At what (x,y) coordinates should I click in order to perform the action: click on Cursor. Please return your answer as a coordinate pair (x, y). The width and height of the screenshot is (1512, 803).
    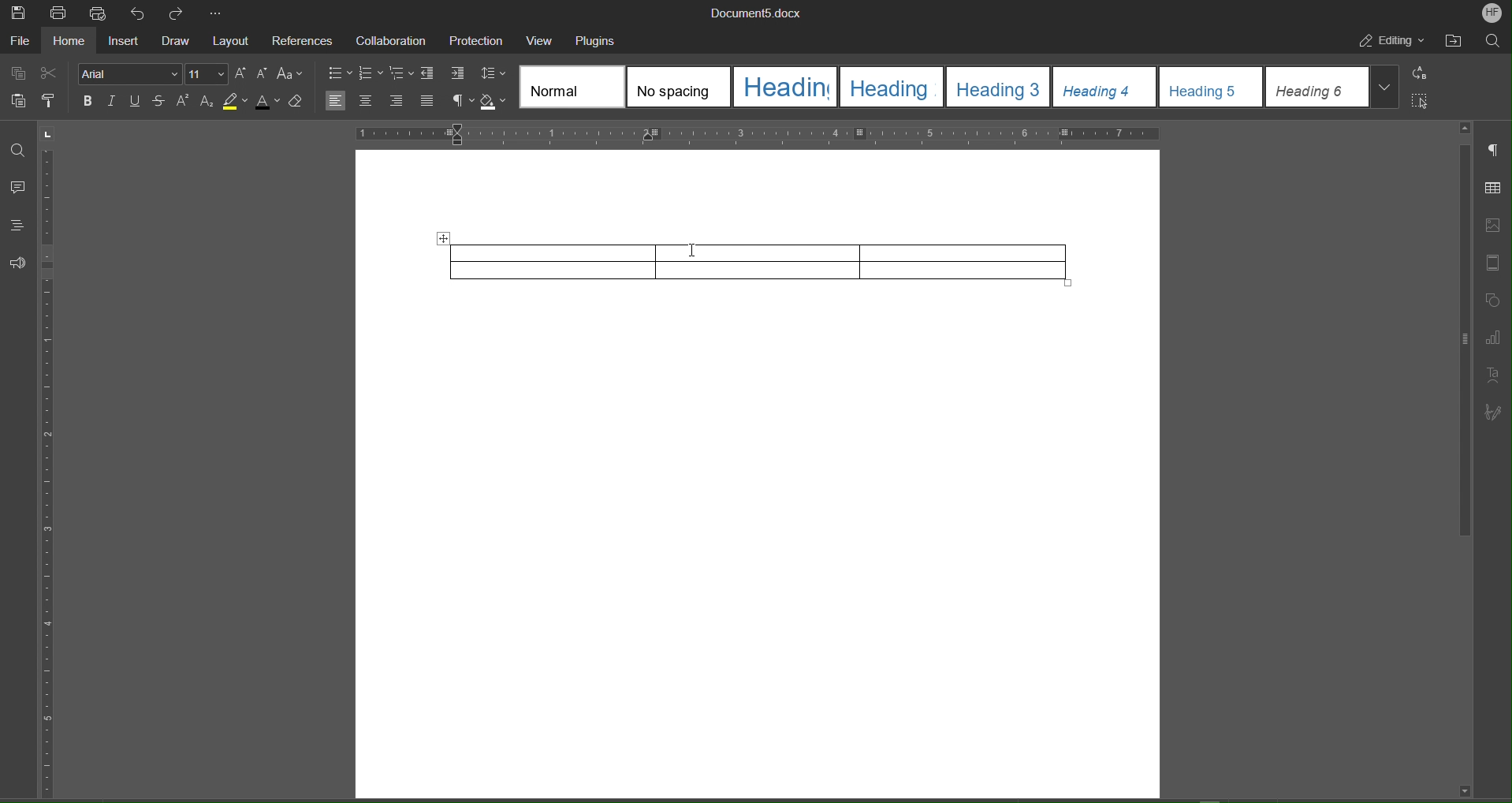
    Looking at the image, I should click on (692, 251).